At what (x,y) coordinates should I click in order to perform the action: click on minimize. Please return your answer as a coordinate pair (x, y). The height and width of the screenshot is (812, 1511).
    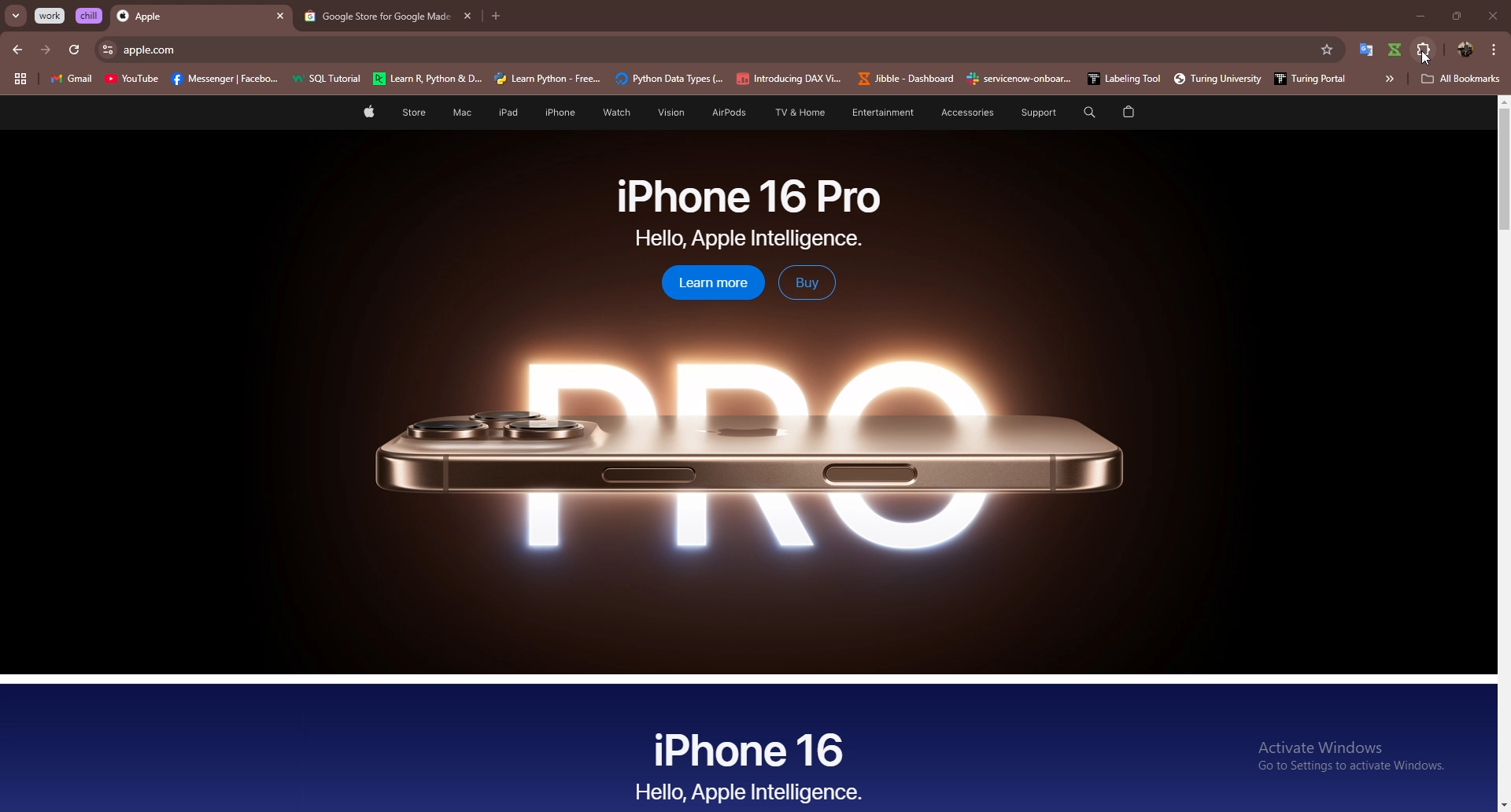
    Looking at the image, I should click on (1416, 17).